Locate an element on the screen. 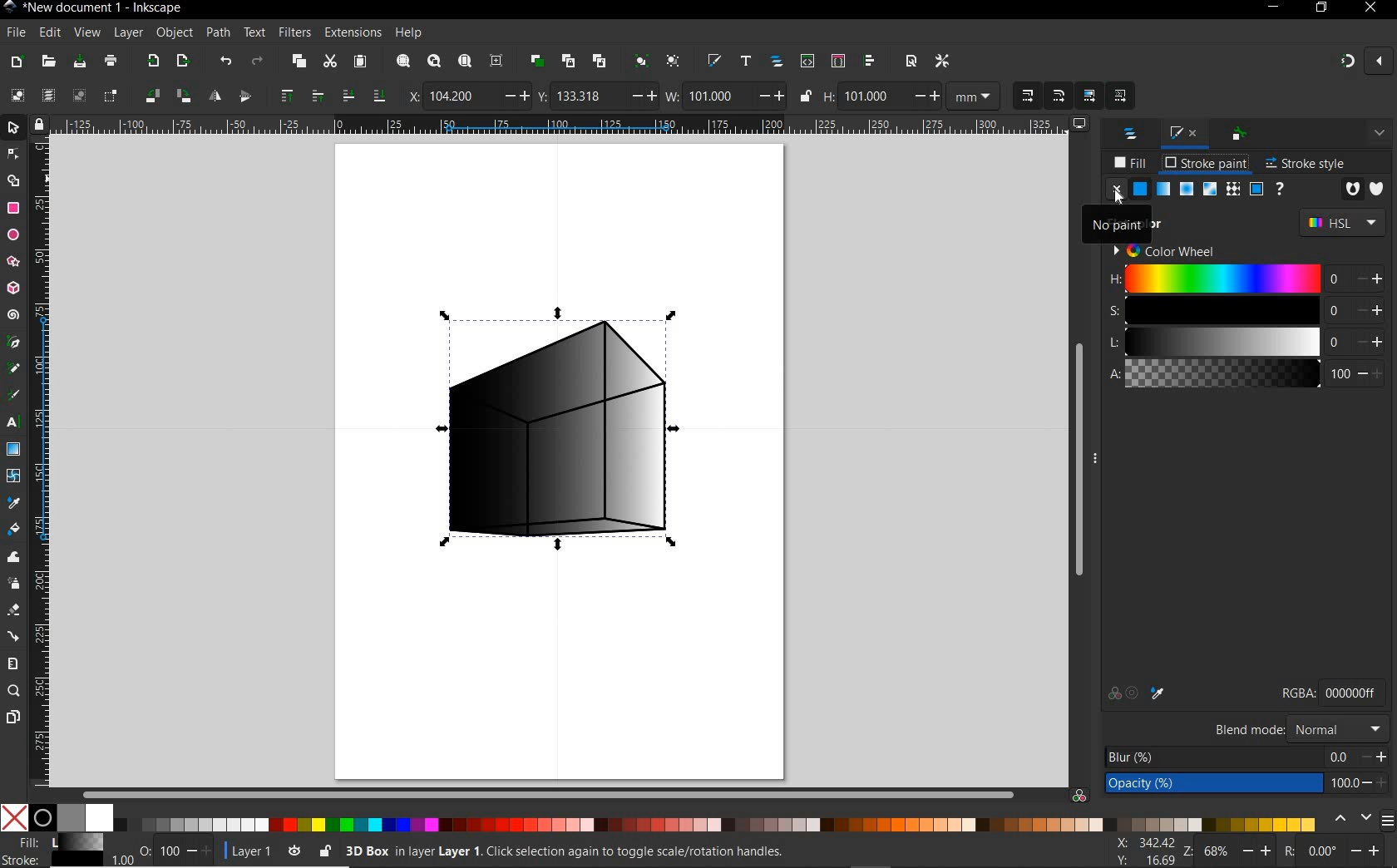  SELECTOR TOOL is located at coordinates (14, 129).